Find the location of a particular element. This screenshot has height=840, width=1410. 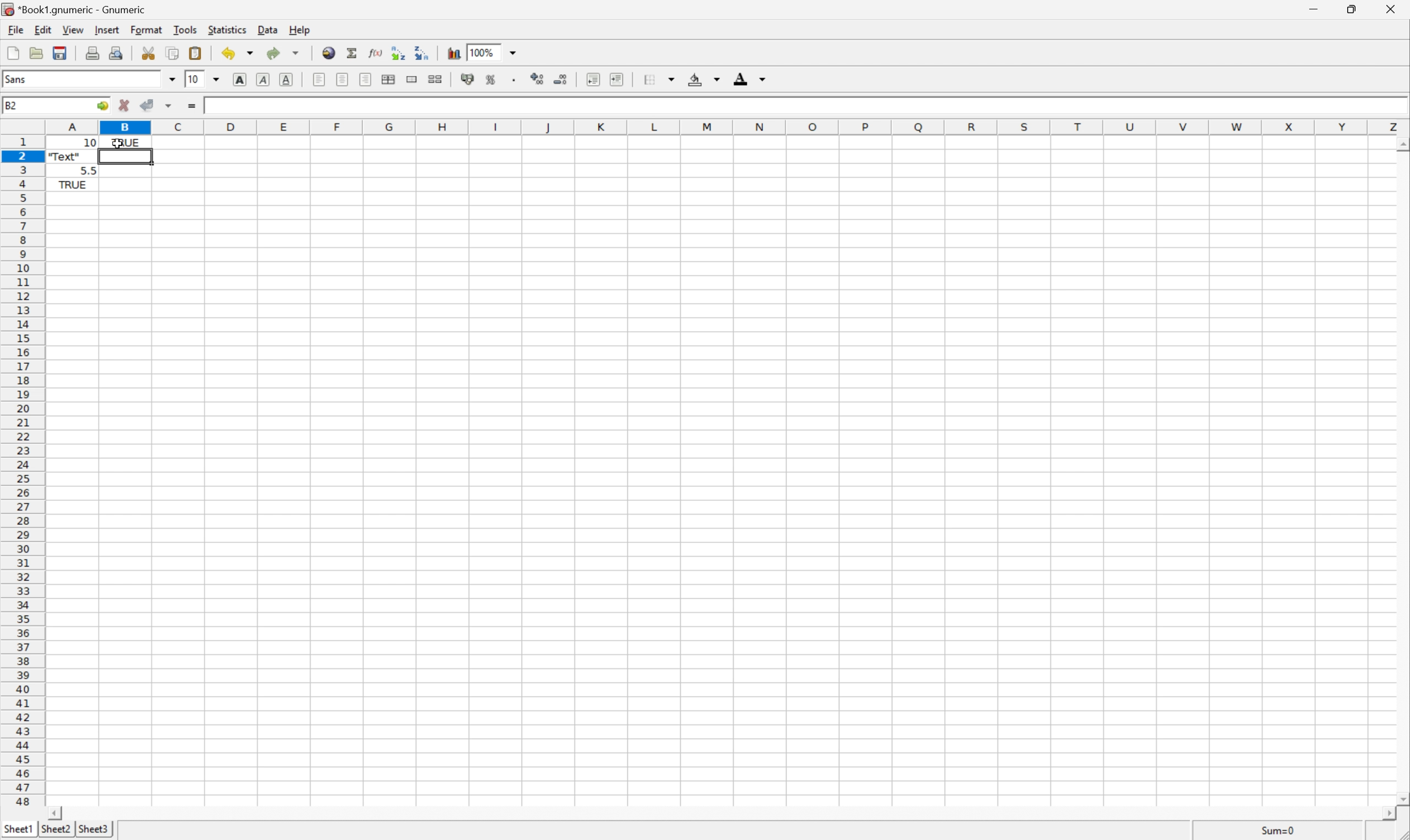

Accept changes in multiple cells is located at coordinates (168, 106).